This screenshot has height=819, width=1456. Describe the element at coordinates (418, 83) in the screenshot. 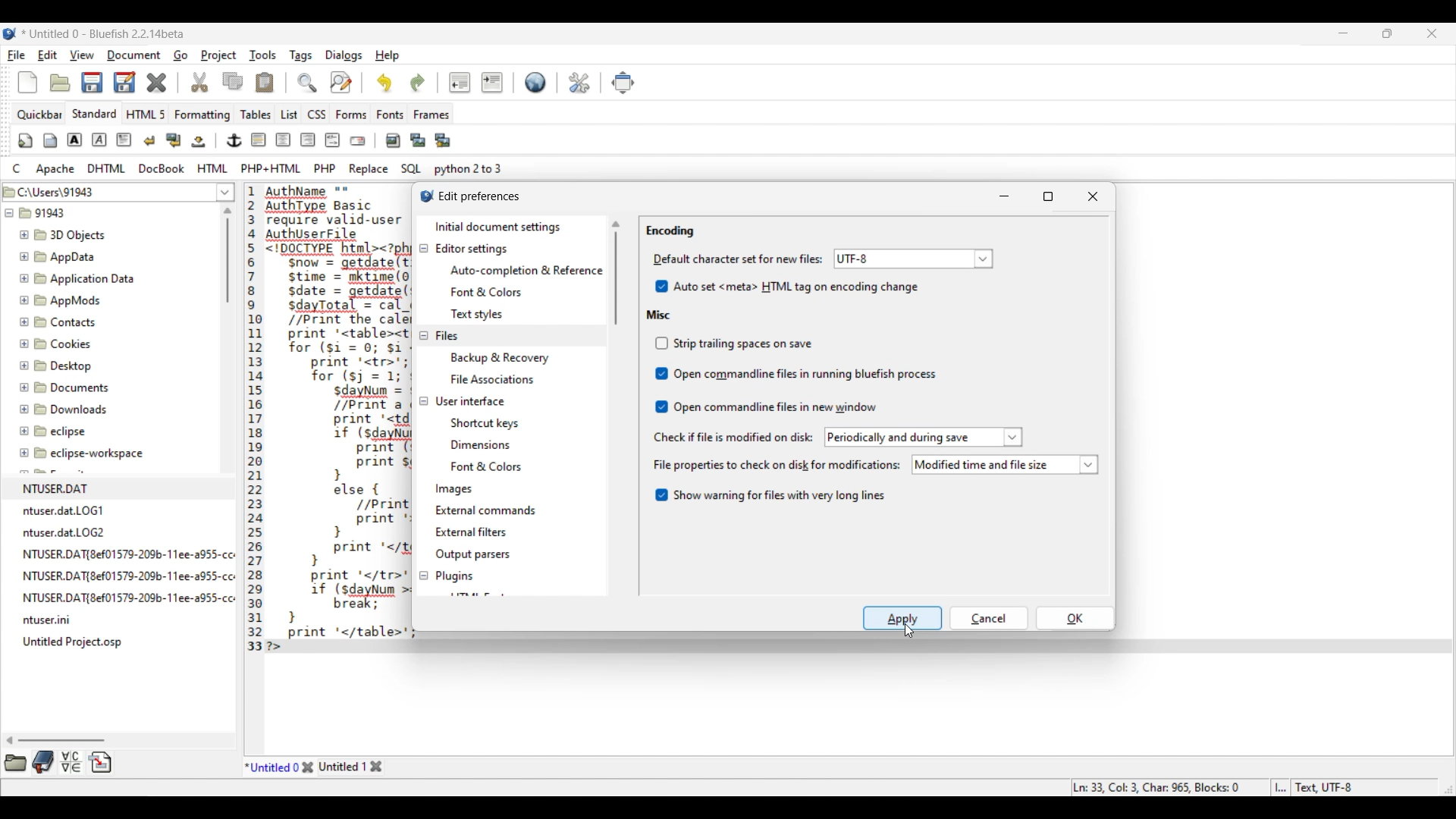

I see `Redo` at that location.